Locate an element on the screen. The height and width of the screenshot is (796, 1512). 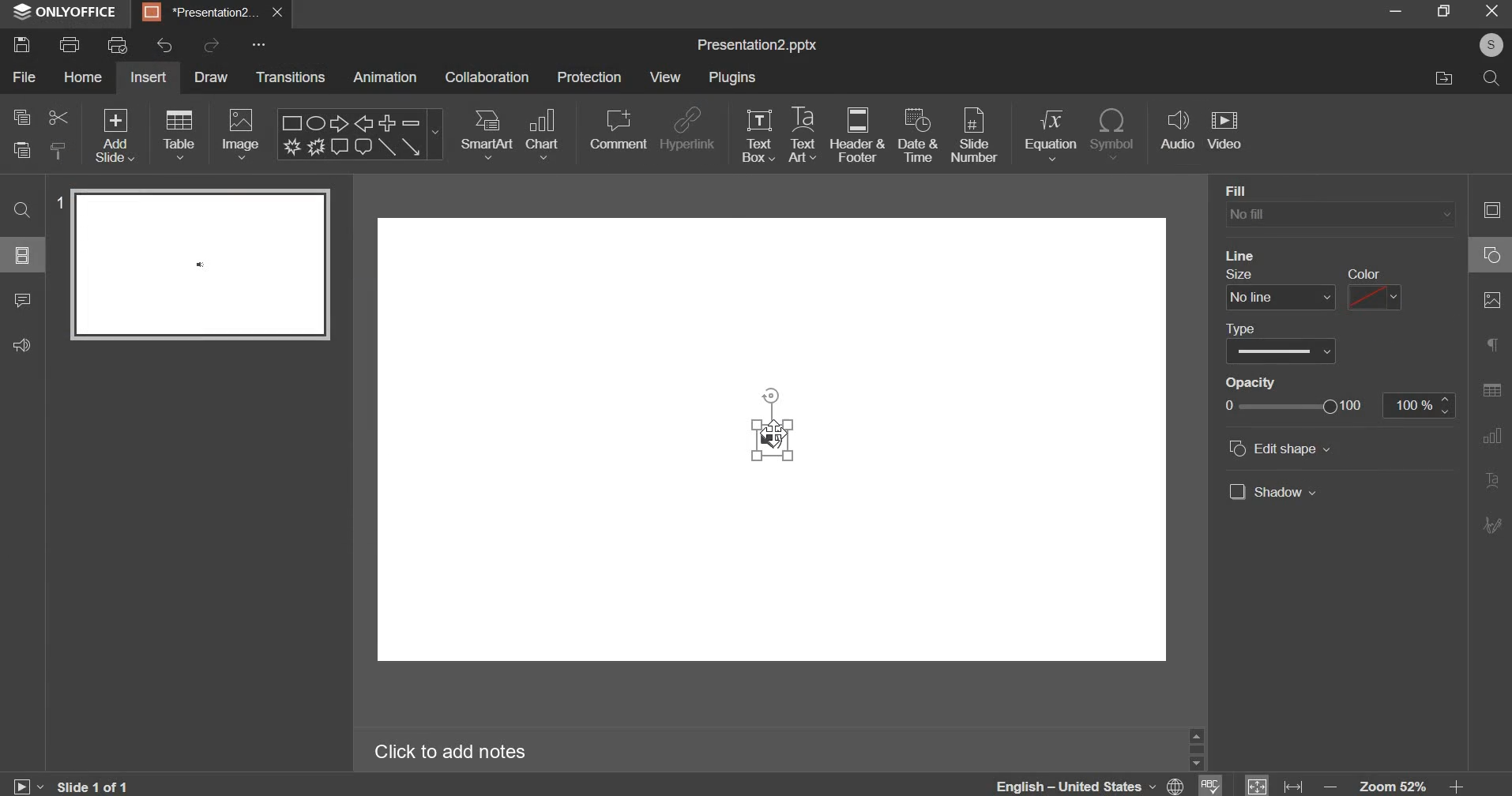
chart is located at coordinates (543, 134).